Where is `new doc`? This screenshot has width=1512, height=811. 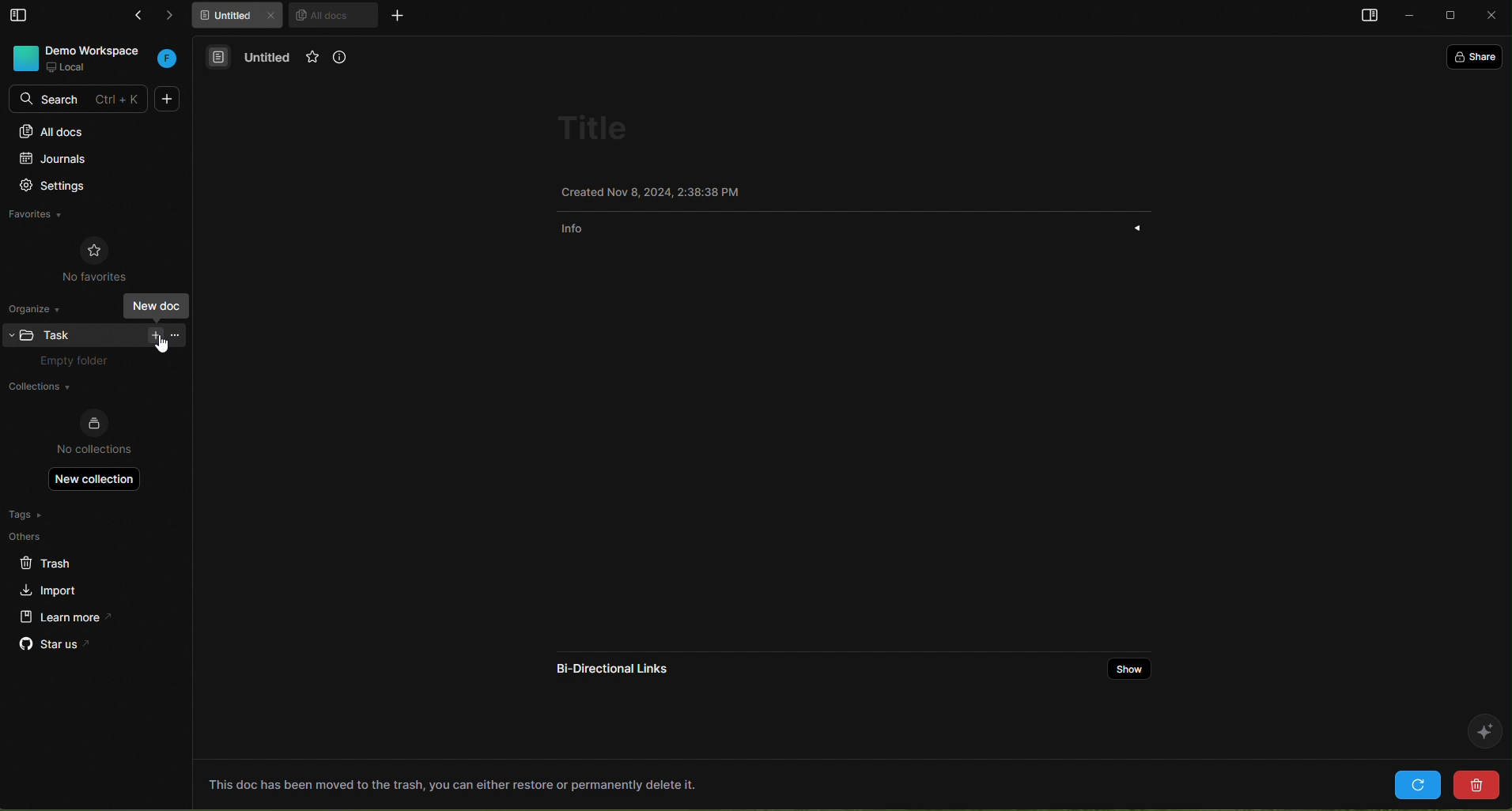 new doc is located at coordinates (156, 305).